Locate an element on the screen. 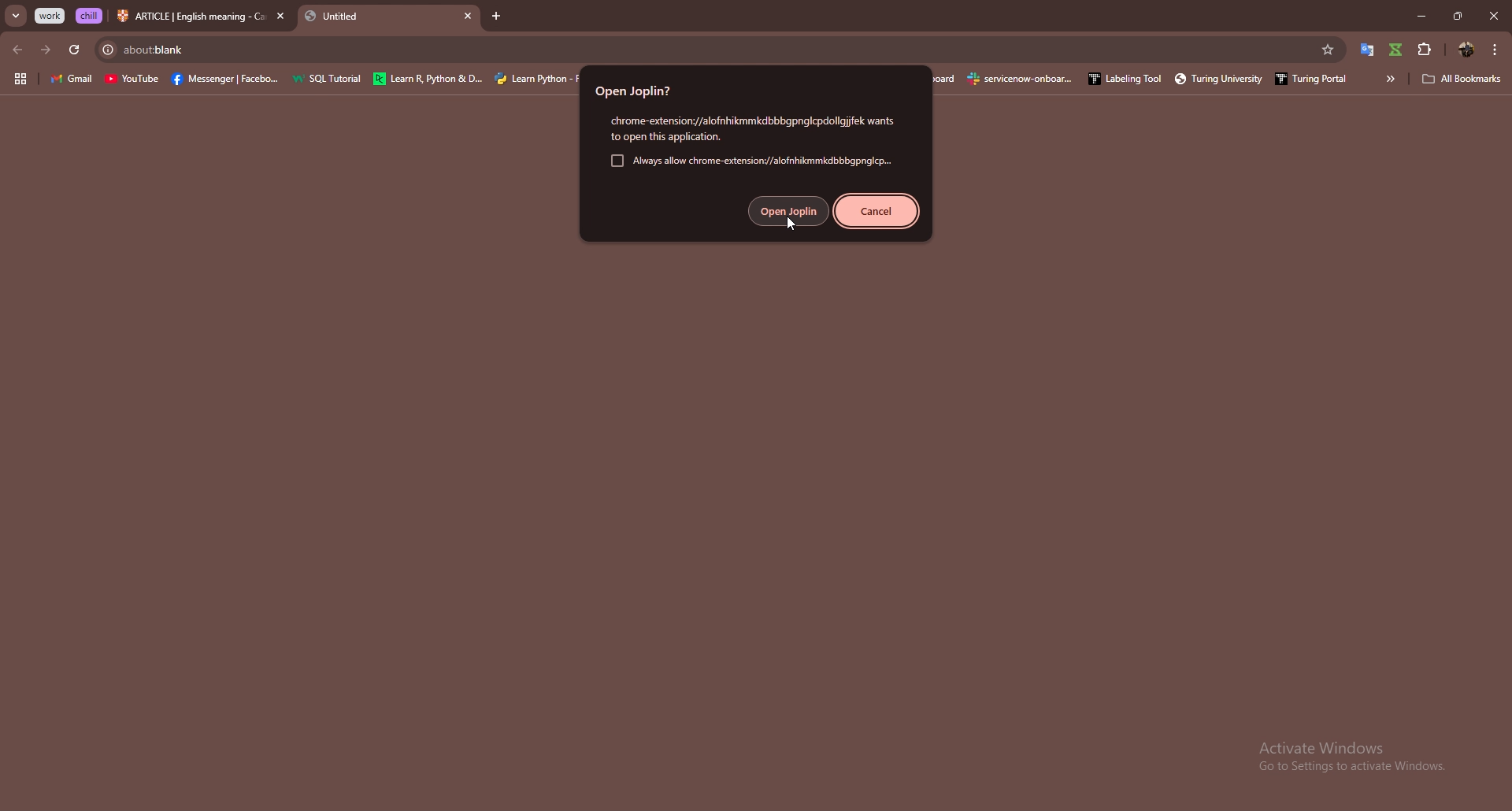 Image resolution: width=1512 pixels, height=811 pixels. close is located at coordinates (495, 17).